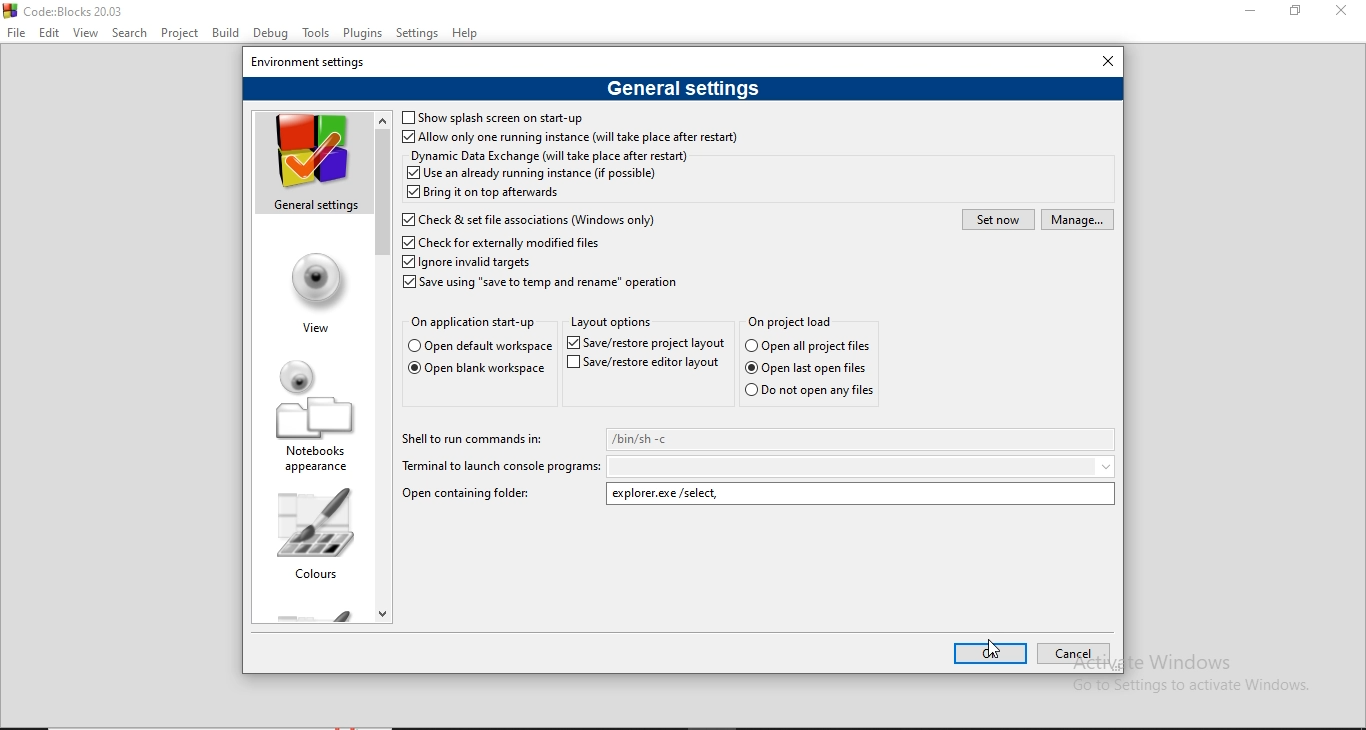 This screenshot has width=1366, height=730. What do you see at coordinates (272, 32) in the screenshot?
I see `Debug ` at bounding box center [272, 32].